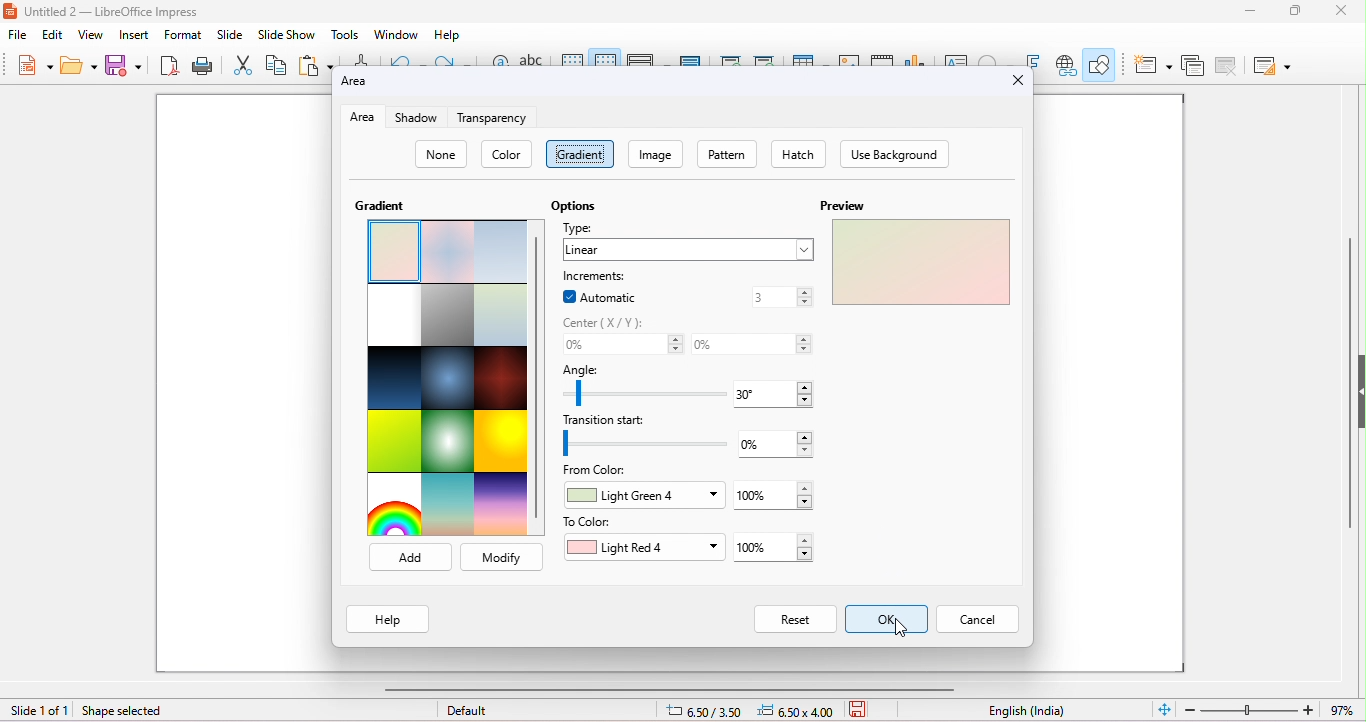 Image resolution: width=1366 pixels, height=722 pixels. Describe the element at coordinates (797, 154) in the screenshot. I see `hatch` at that location.